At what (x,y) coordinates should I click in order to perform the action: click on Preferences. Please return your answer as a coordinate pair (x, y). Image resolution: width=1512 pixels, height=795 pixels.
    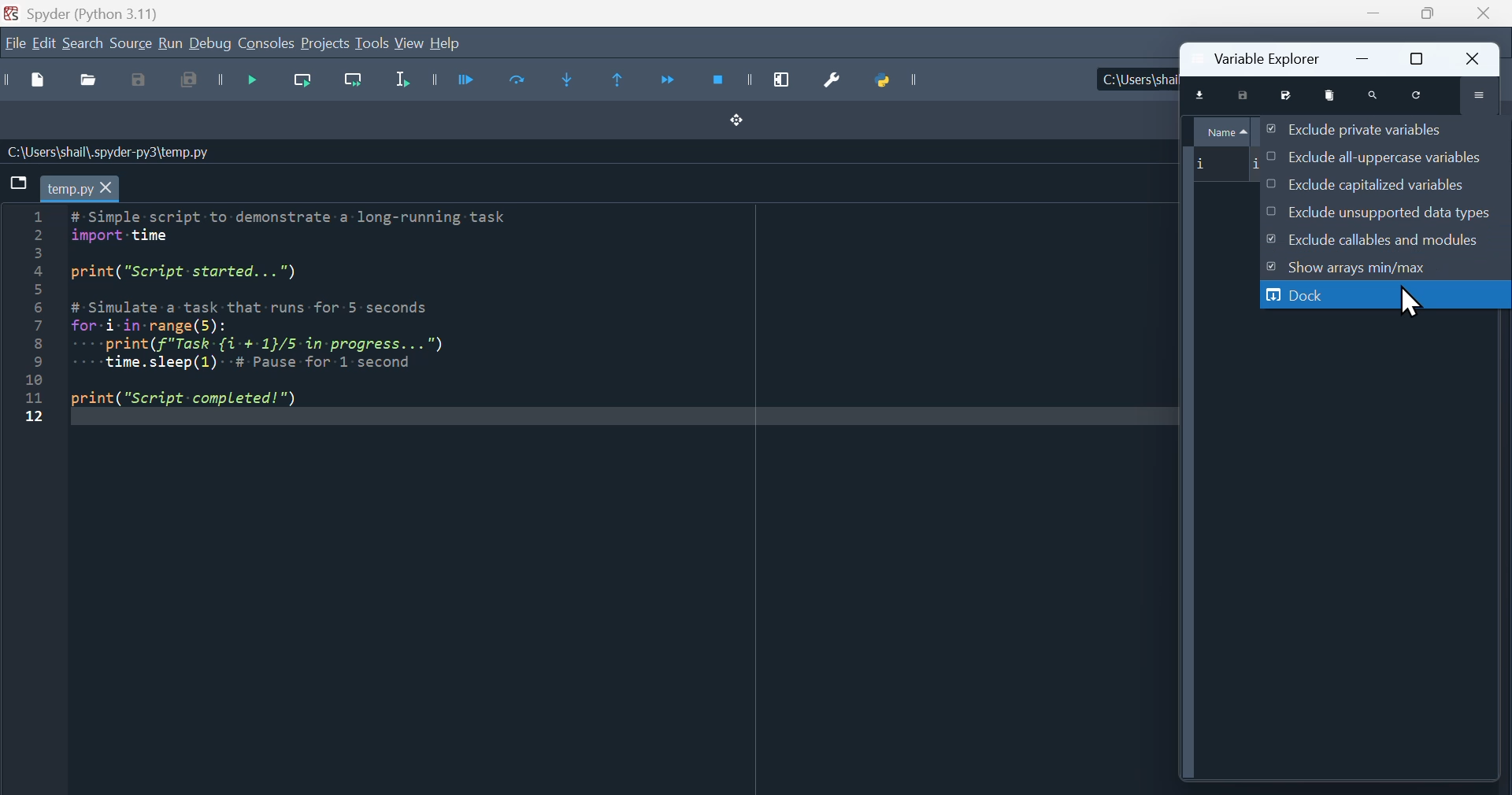
    Looking at the image, I should click on (827, 81).